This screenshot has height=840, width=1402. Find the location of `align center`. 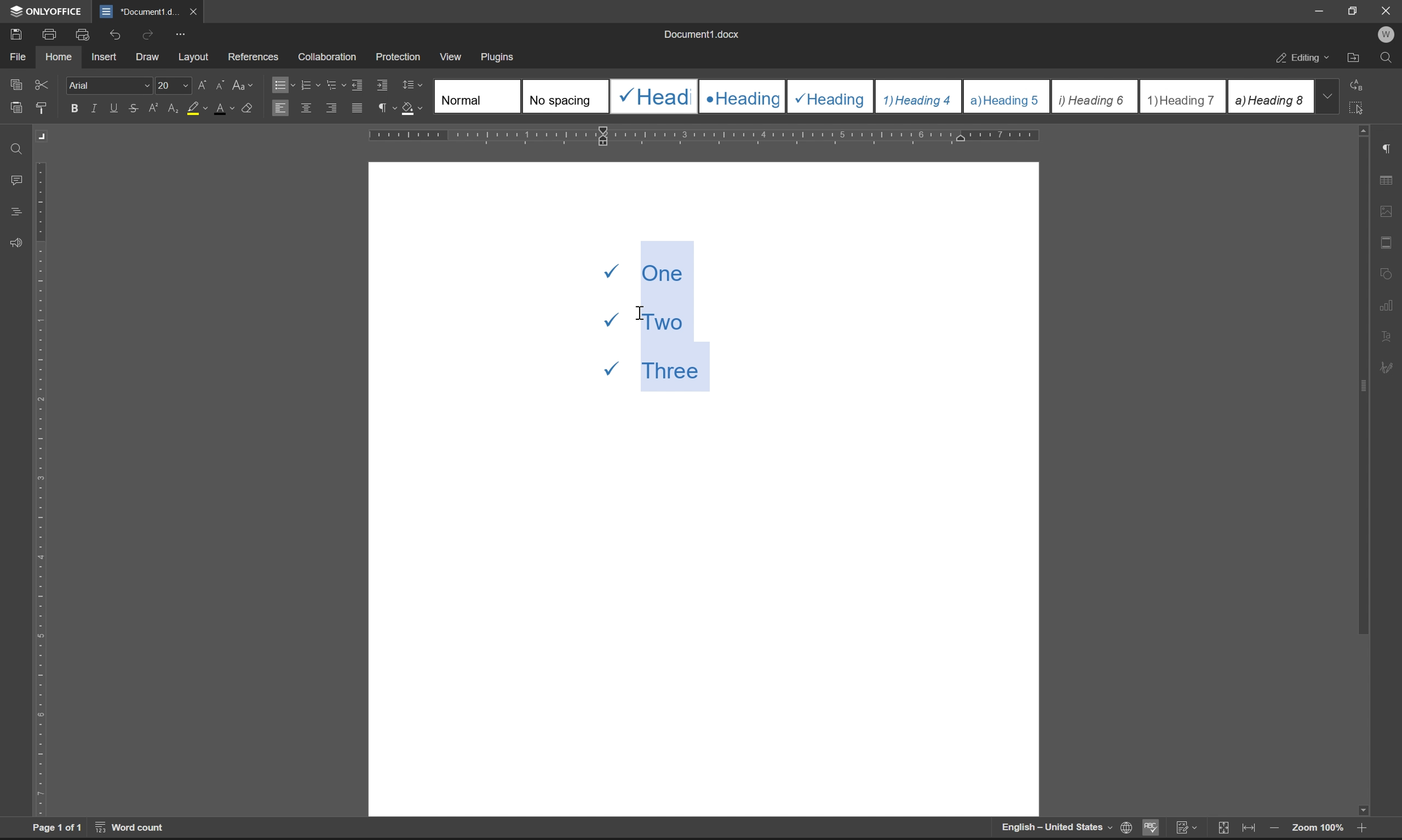

align center is located at coordinates (307, 107).